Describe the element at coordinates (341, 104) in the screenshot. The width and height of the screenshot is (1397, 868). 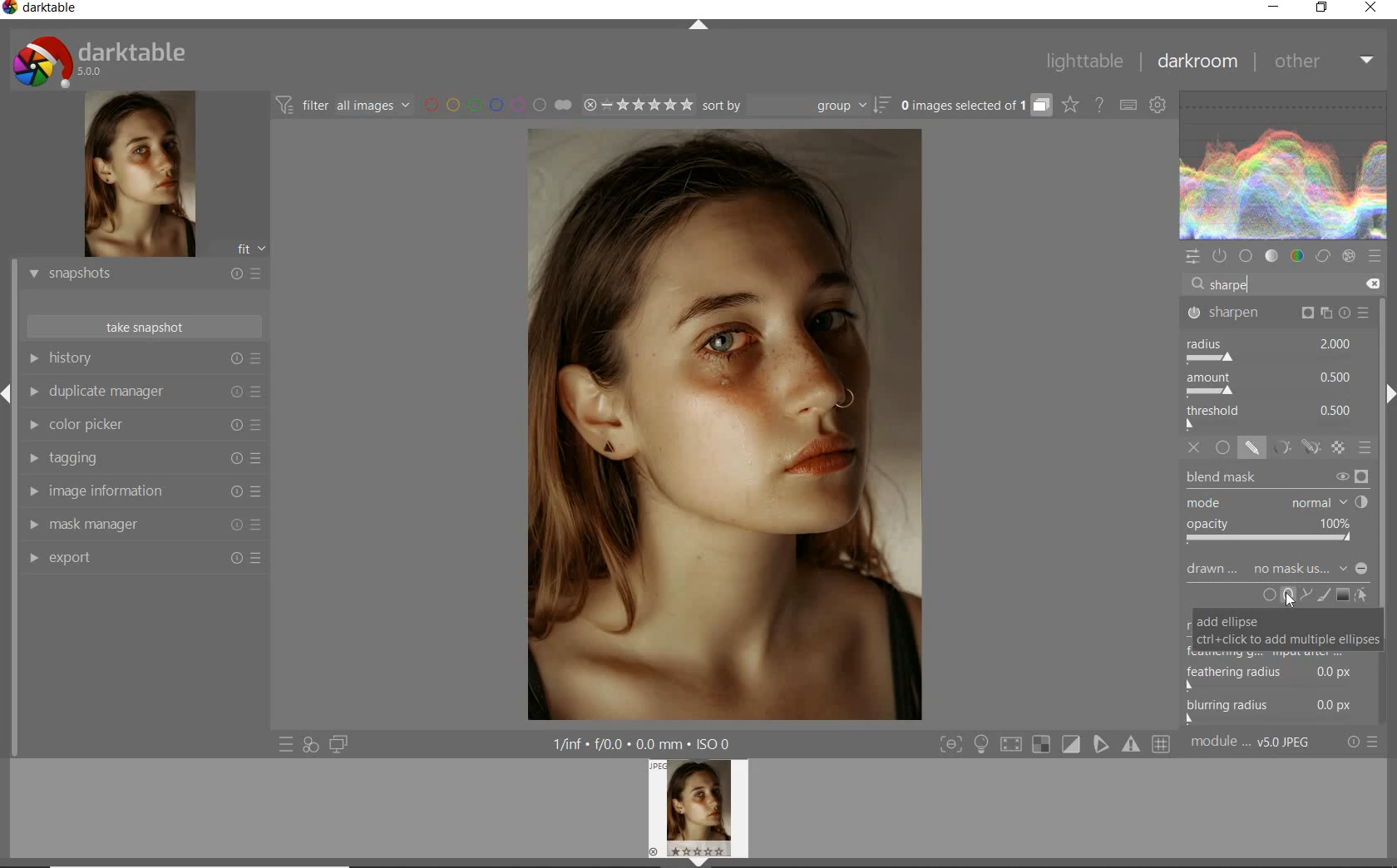
I see `filter images based on their modules` at that location.